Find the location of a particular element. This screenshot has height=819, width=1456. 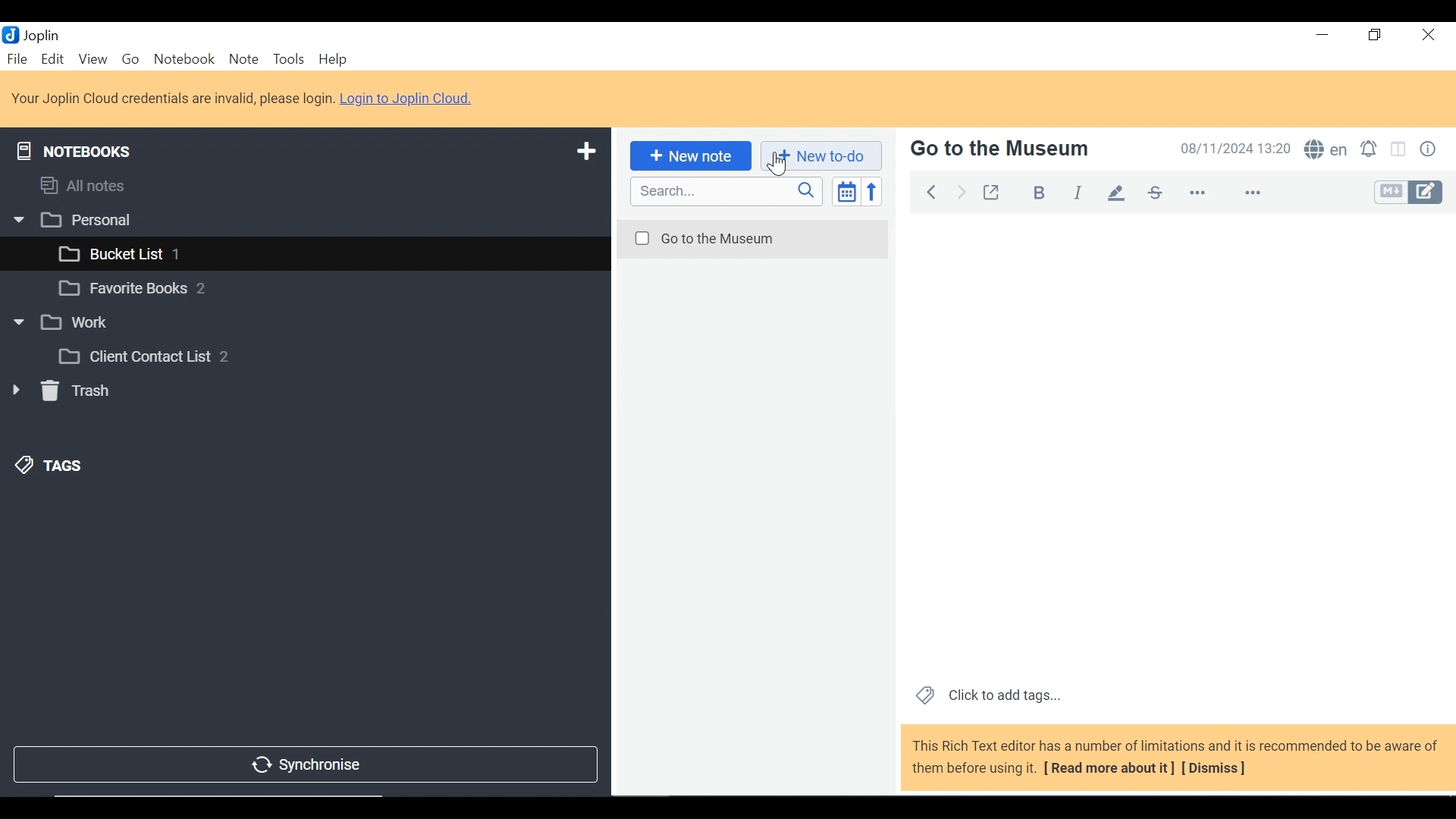

SEARCH is located at coordinates (727, 191).